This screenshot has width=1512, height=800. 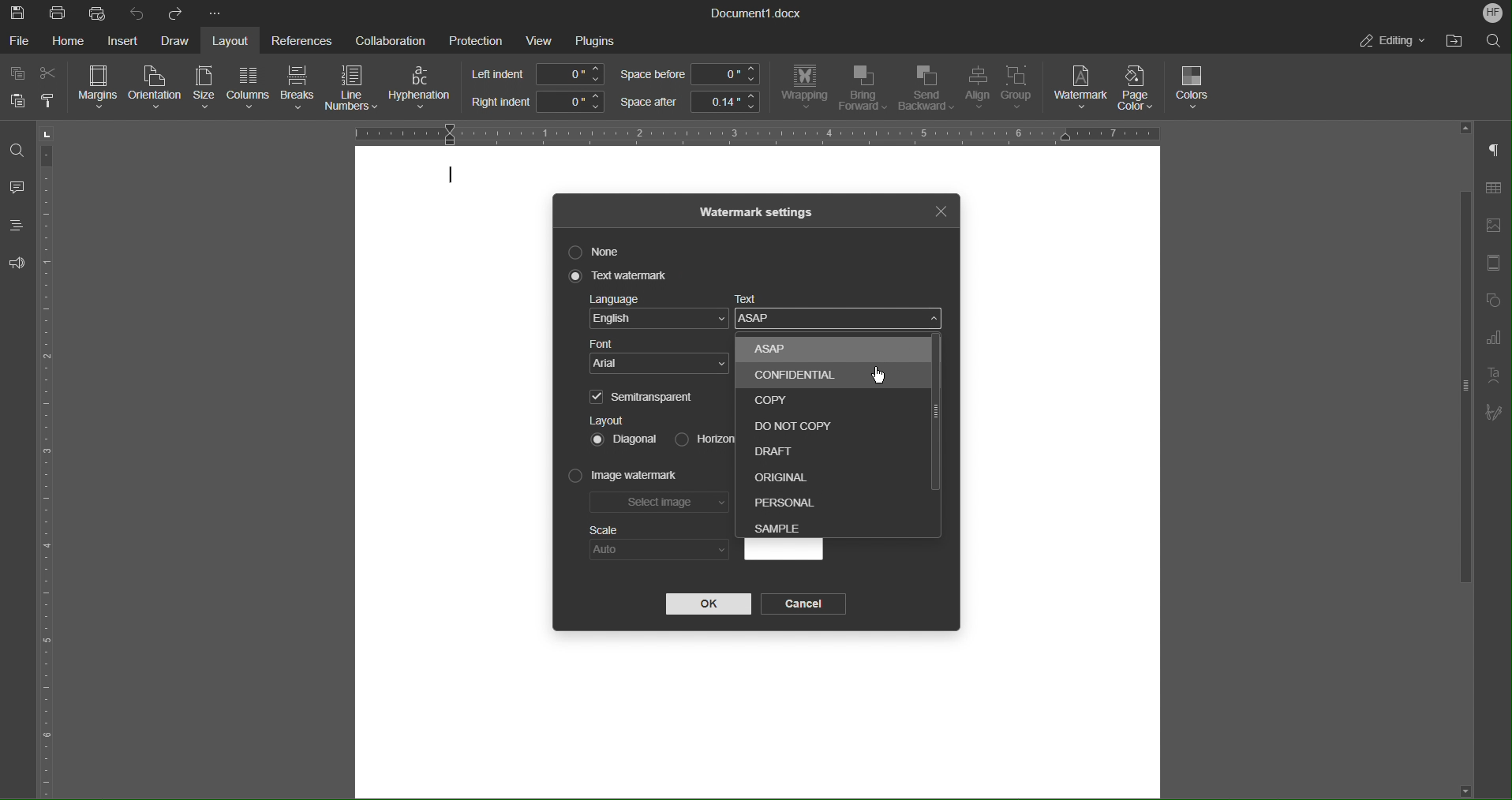 What do you see at coordinates (122, 41) in the screenshot?
I see `Insert` at bounding box center [122, 41].